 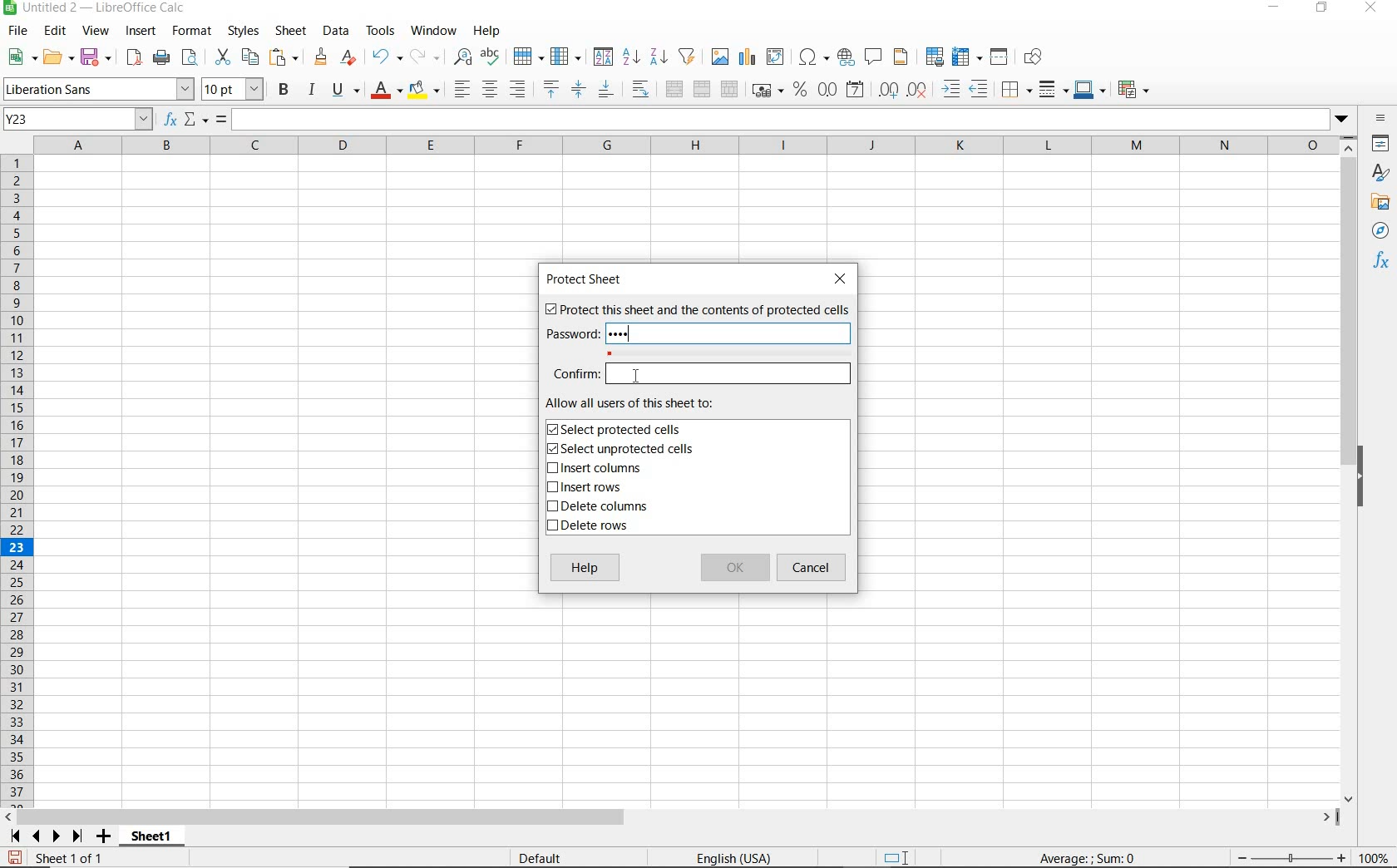 I want to click on Default, so click(x=550, y=855).